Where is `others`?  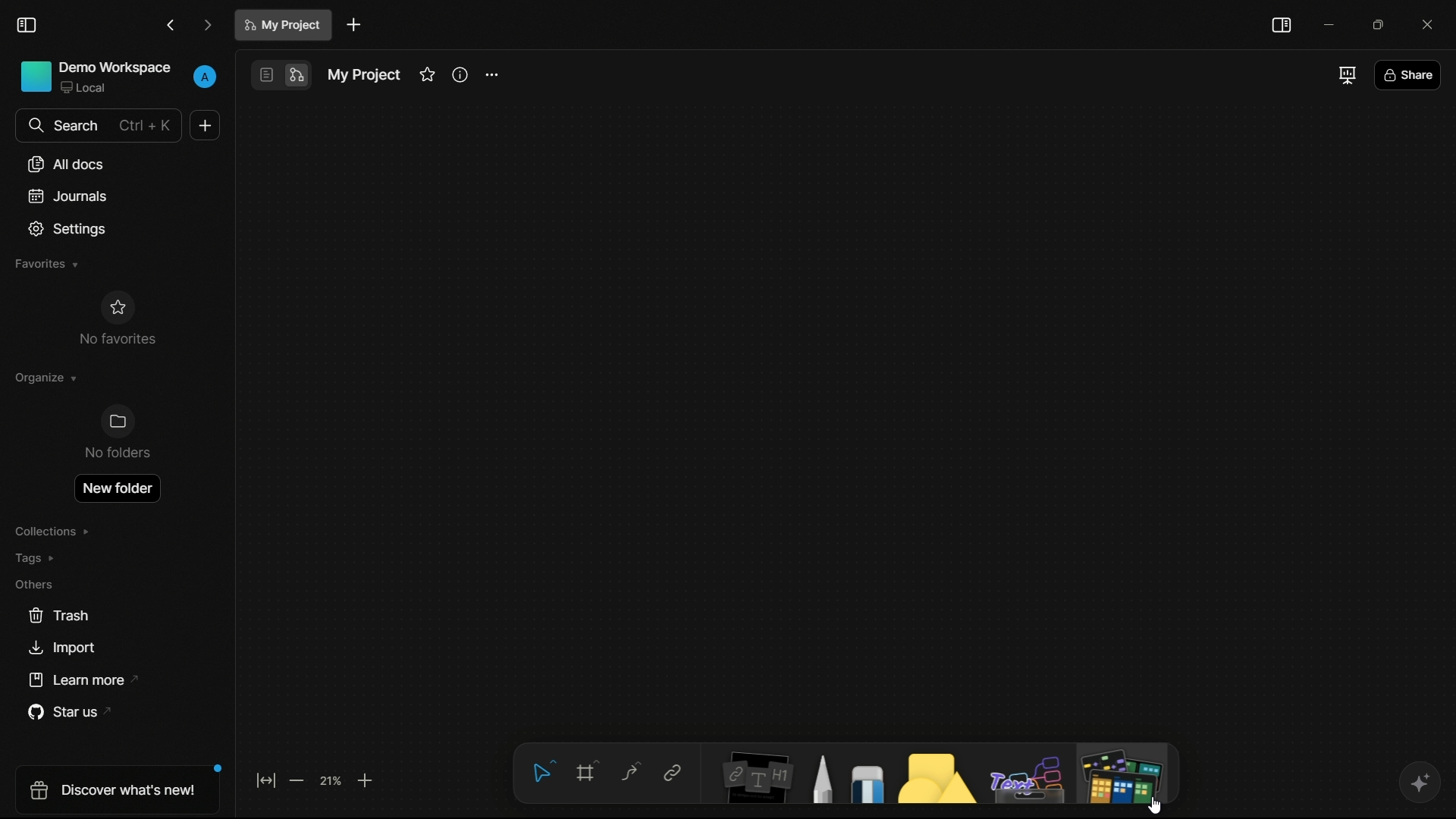
others is located at coordinates (35, 584).